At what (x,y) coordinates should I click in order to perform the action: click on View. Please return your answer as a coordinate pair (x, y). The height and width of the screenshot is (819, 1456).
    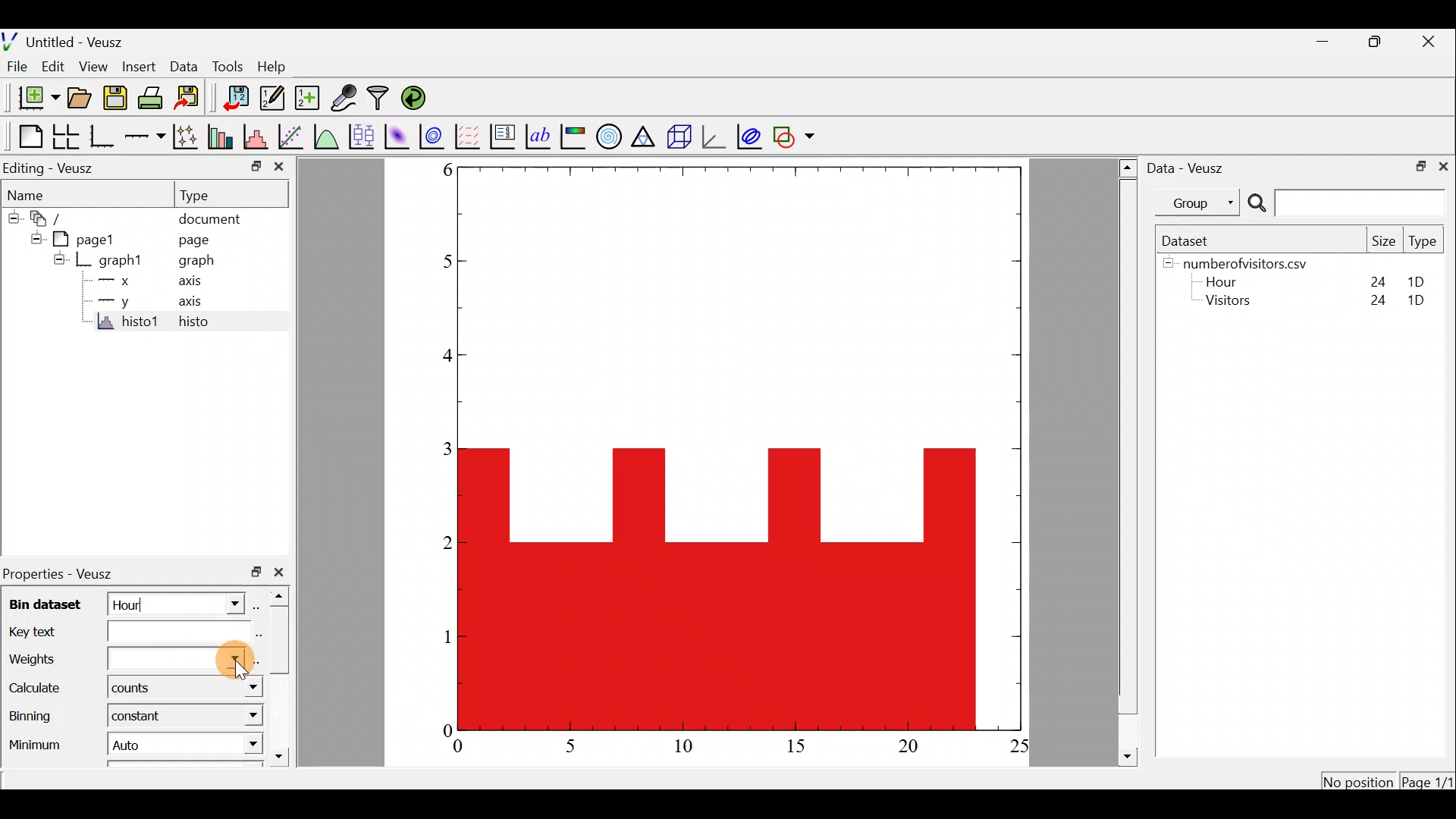
    Looking at the image, I should click on (94, 66).